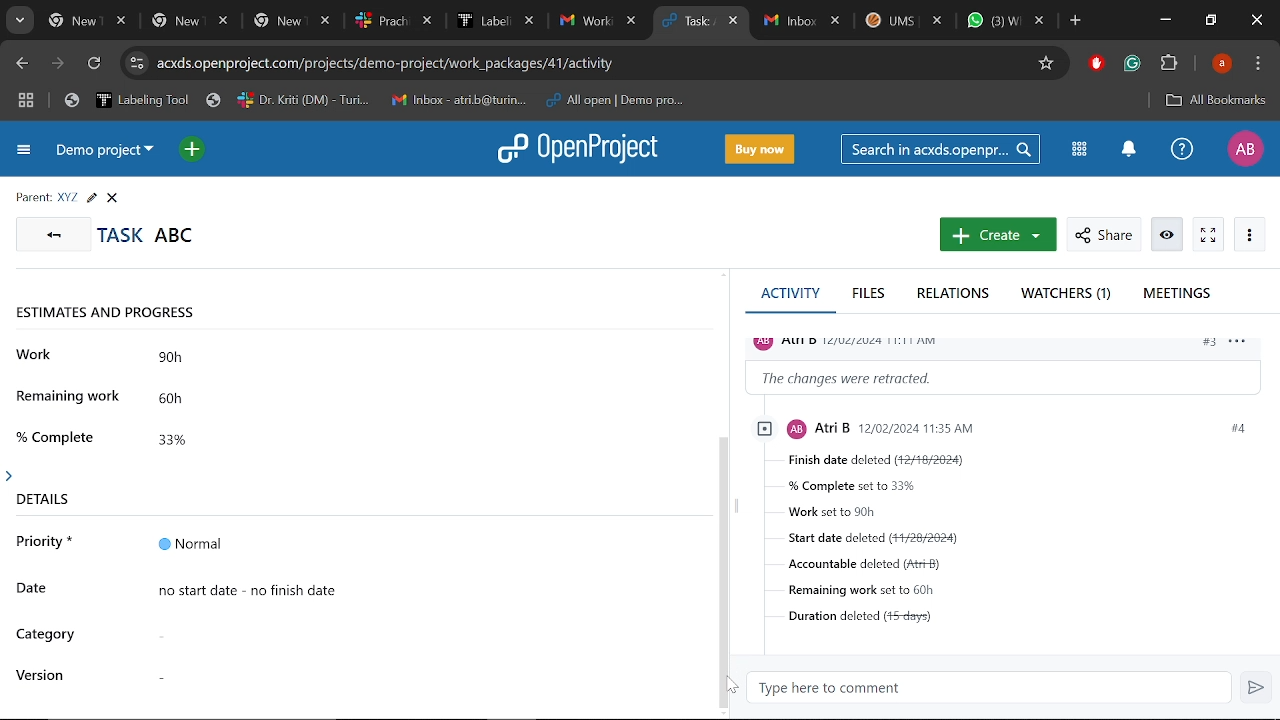 The height and width of the screenshot is (720, 1280). What do you see at coordinates (117, 314) in the screenshot?
I see `estimates and progress` at bounding box center [117, 314].